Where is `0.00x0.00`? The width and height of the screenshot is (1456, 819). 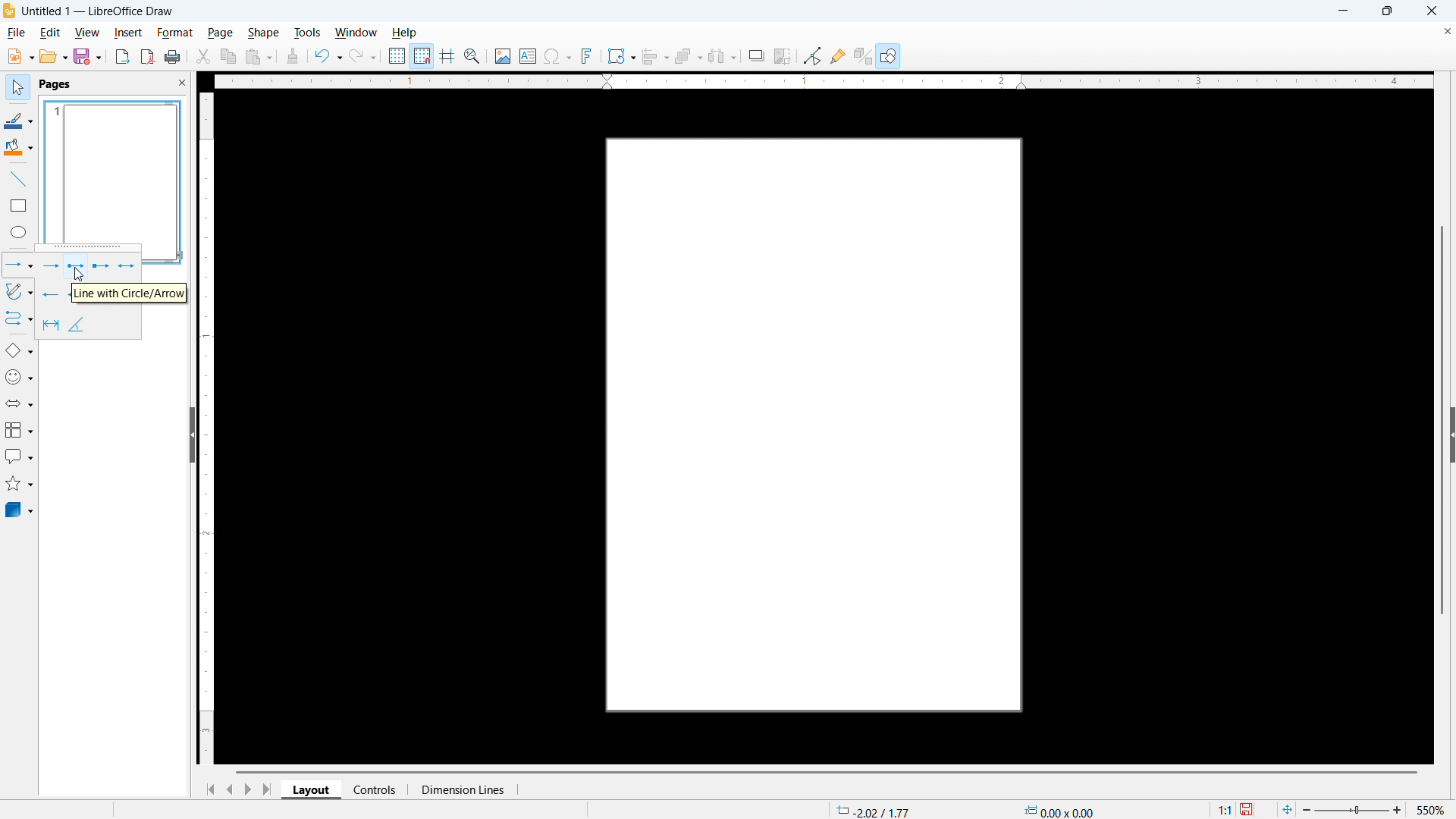 0.00x0.00 is located at coordinates (1059, 810).